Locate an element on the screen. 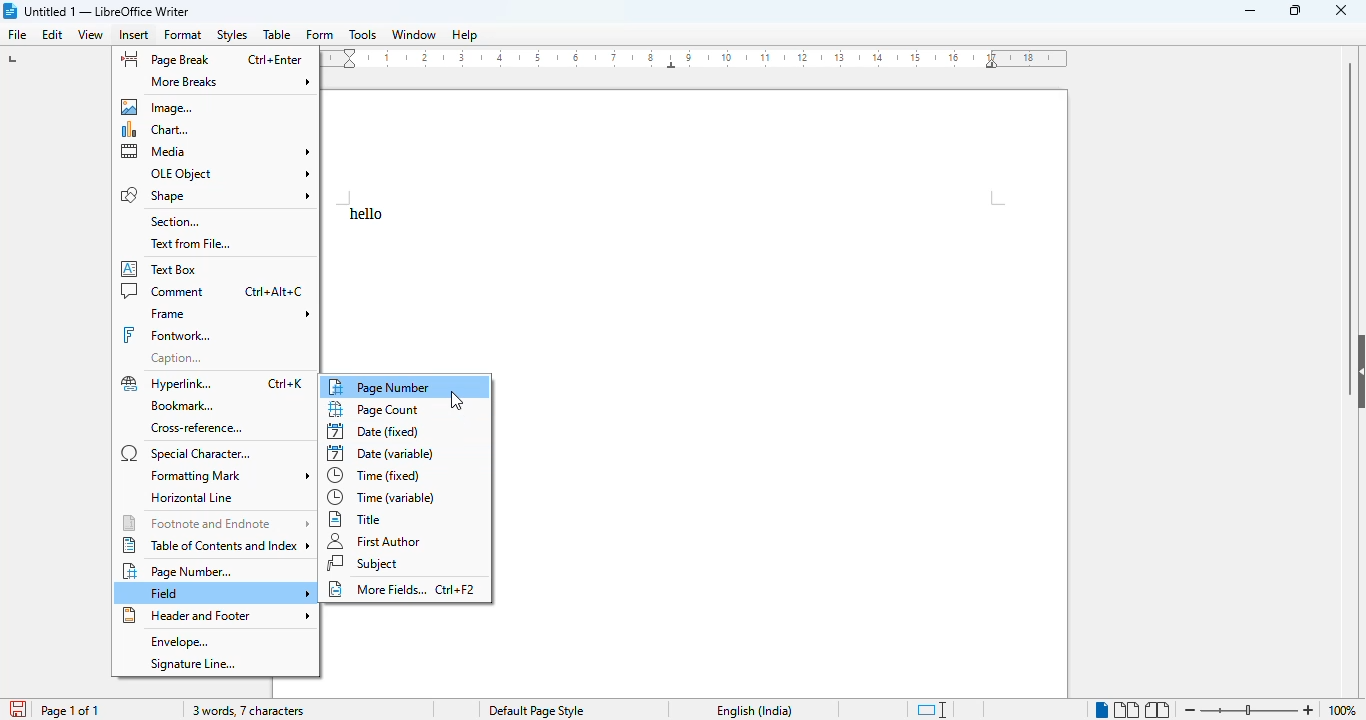  tools is located at coordinates (362, 34).